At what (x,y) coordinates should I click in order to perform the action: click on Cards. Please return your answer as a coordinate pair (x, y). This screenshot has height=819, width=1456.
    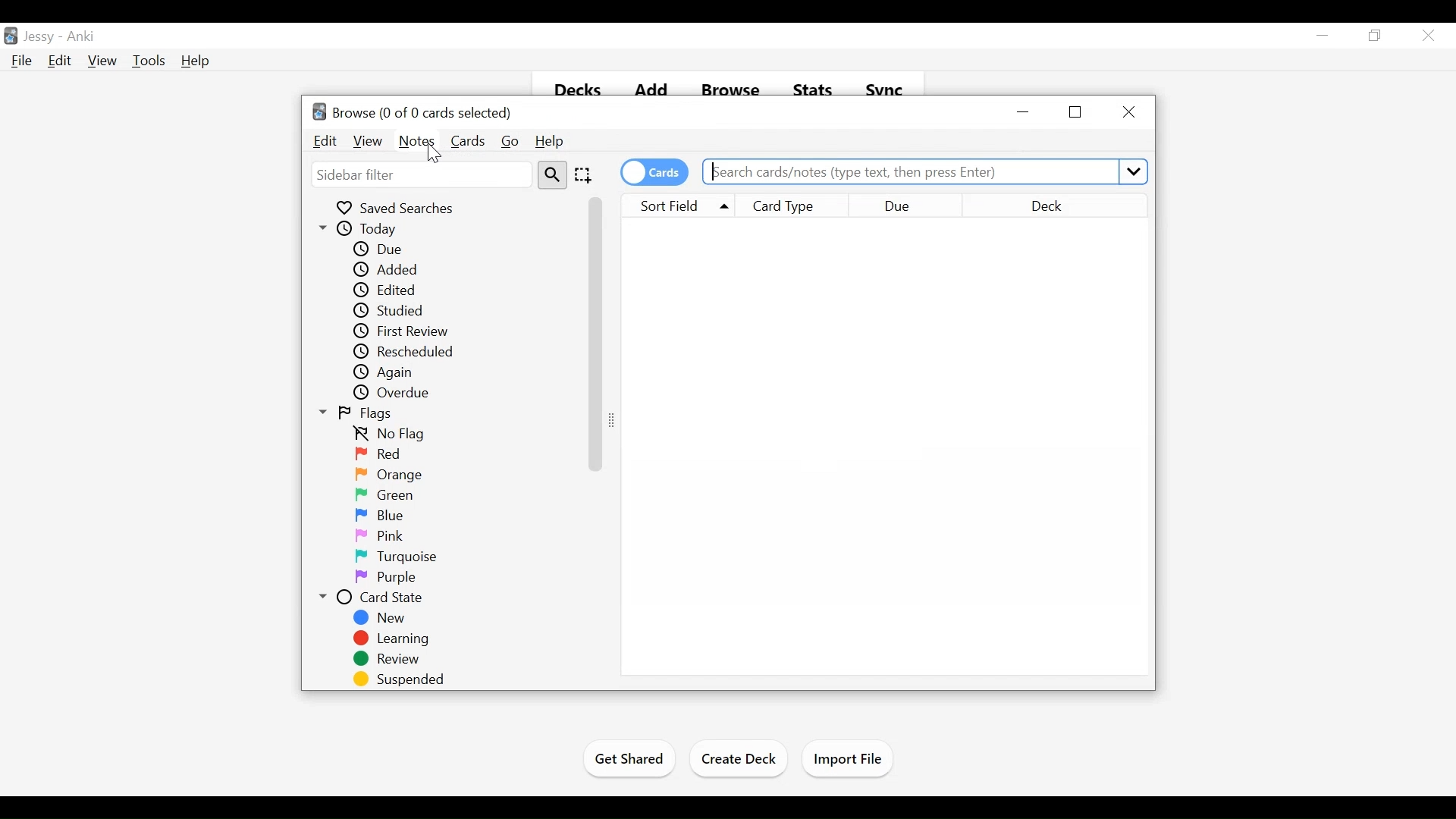
    Looking at the image, I should click on (469, 141).